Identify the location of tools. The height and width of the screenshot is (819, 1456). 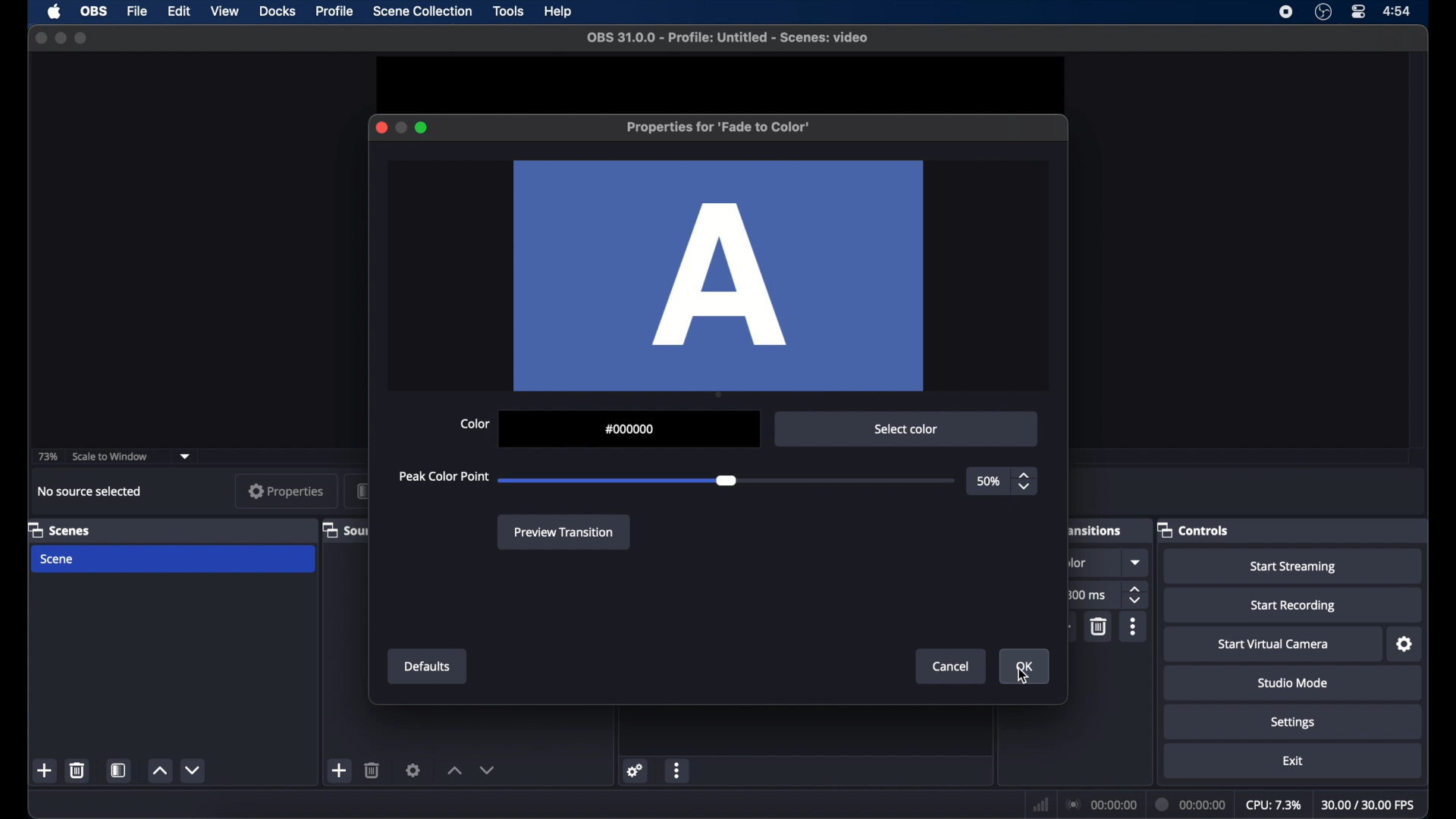
(510, 11).